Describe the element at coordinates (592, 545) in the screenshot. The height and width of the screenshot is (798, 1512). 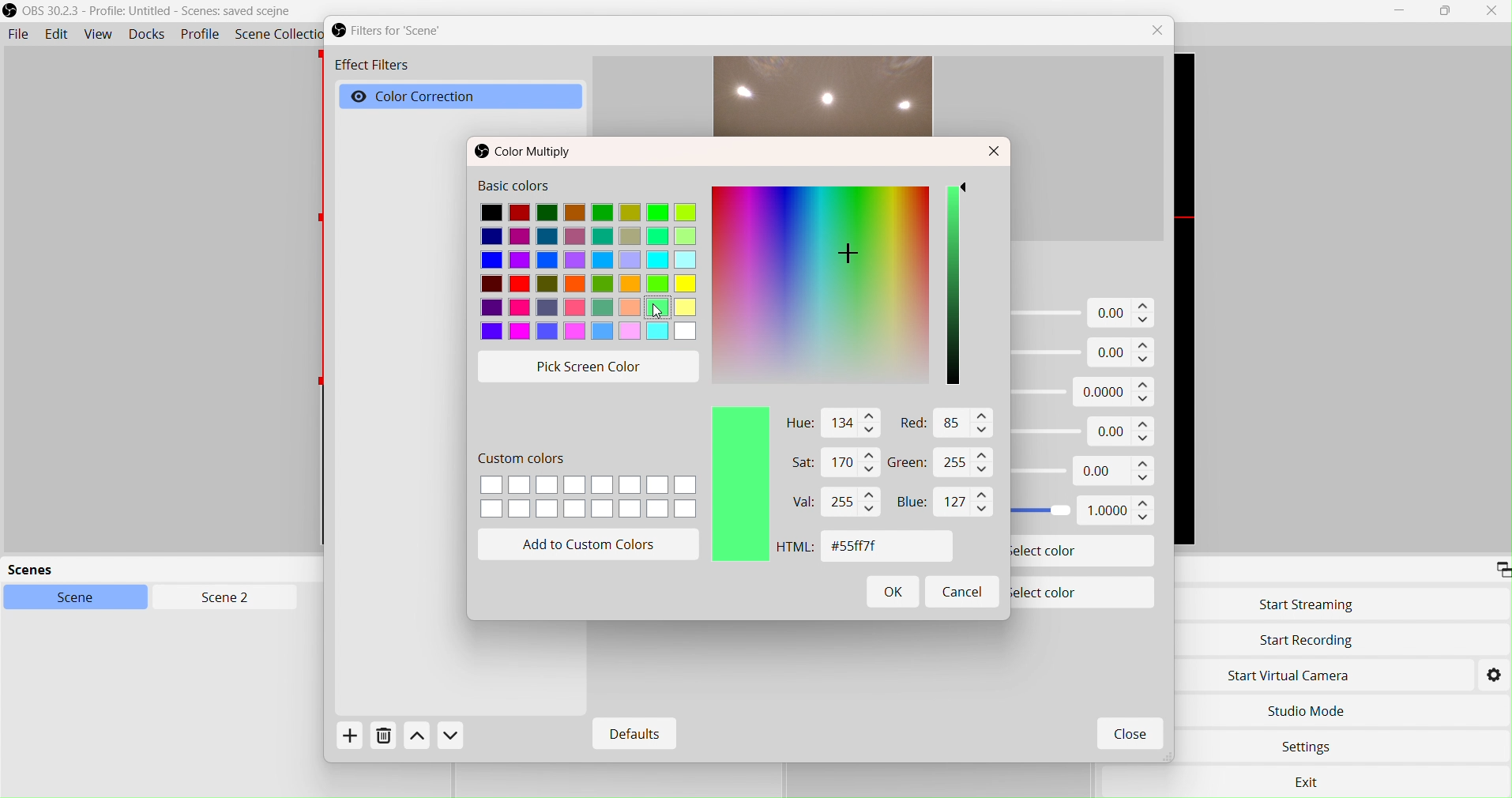
I see `Add to Custom Colors` at that location.